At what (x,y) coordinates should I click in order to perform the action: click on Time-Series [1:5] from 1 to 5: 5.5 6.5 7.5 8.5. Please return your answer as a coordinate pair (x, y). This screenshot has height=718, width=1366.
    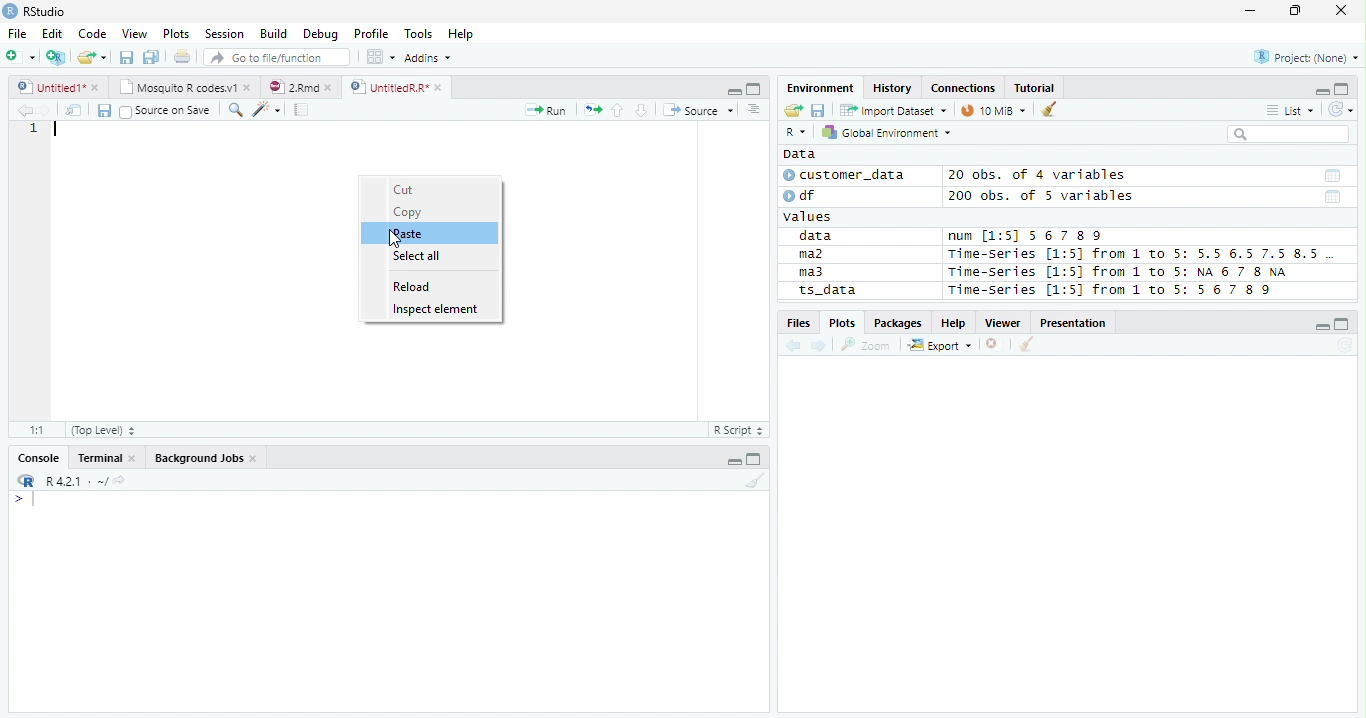
    Looking at the image, I should click on (1137, 255).